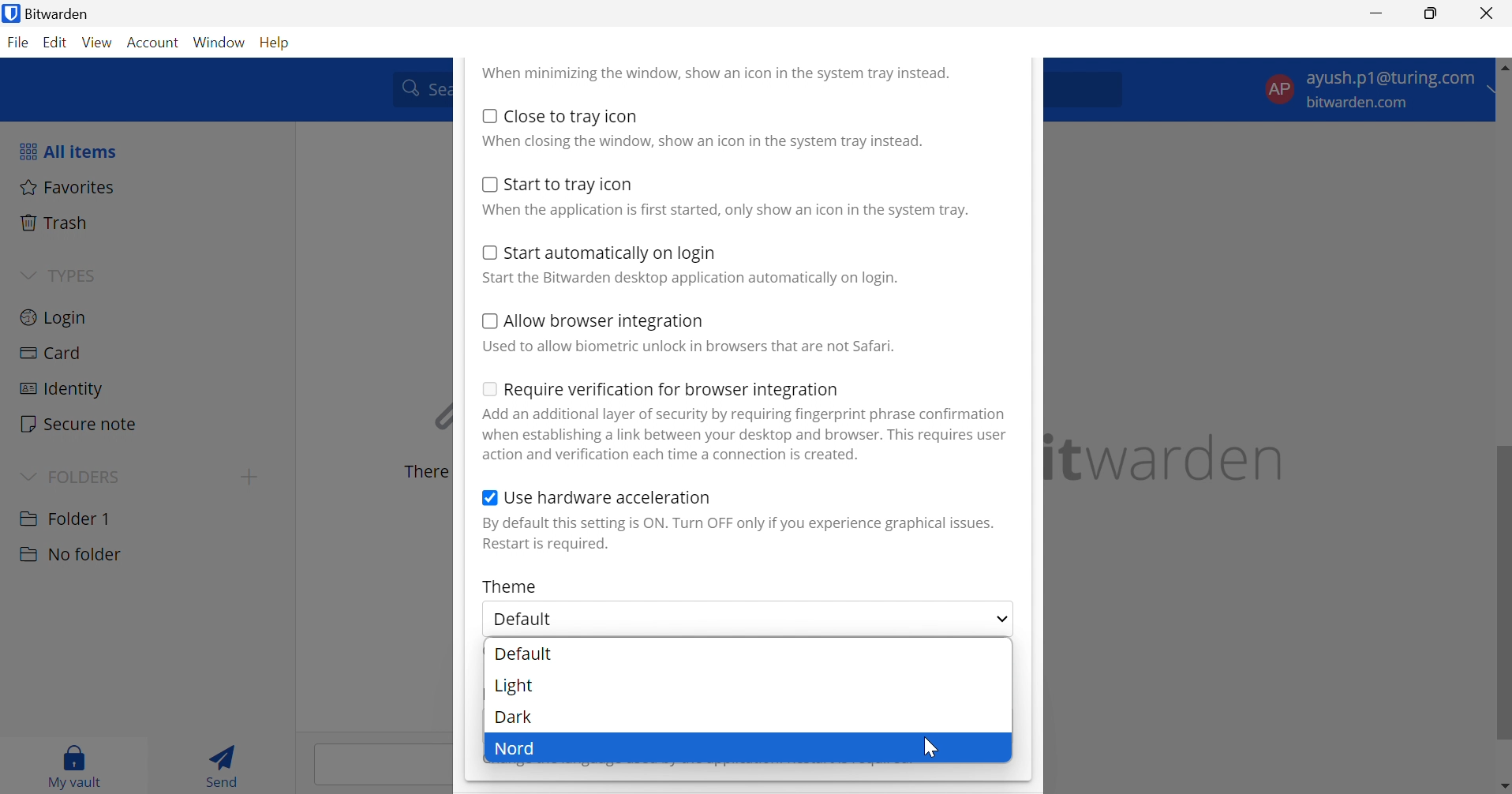 Image resolution: width=1512 pixels, height=794 pixels. I want to click on Default, so click(530, 620).